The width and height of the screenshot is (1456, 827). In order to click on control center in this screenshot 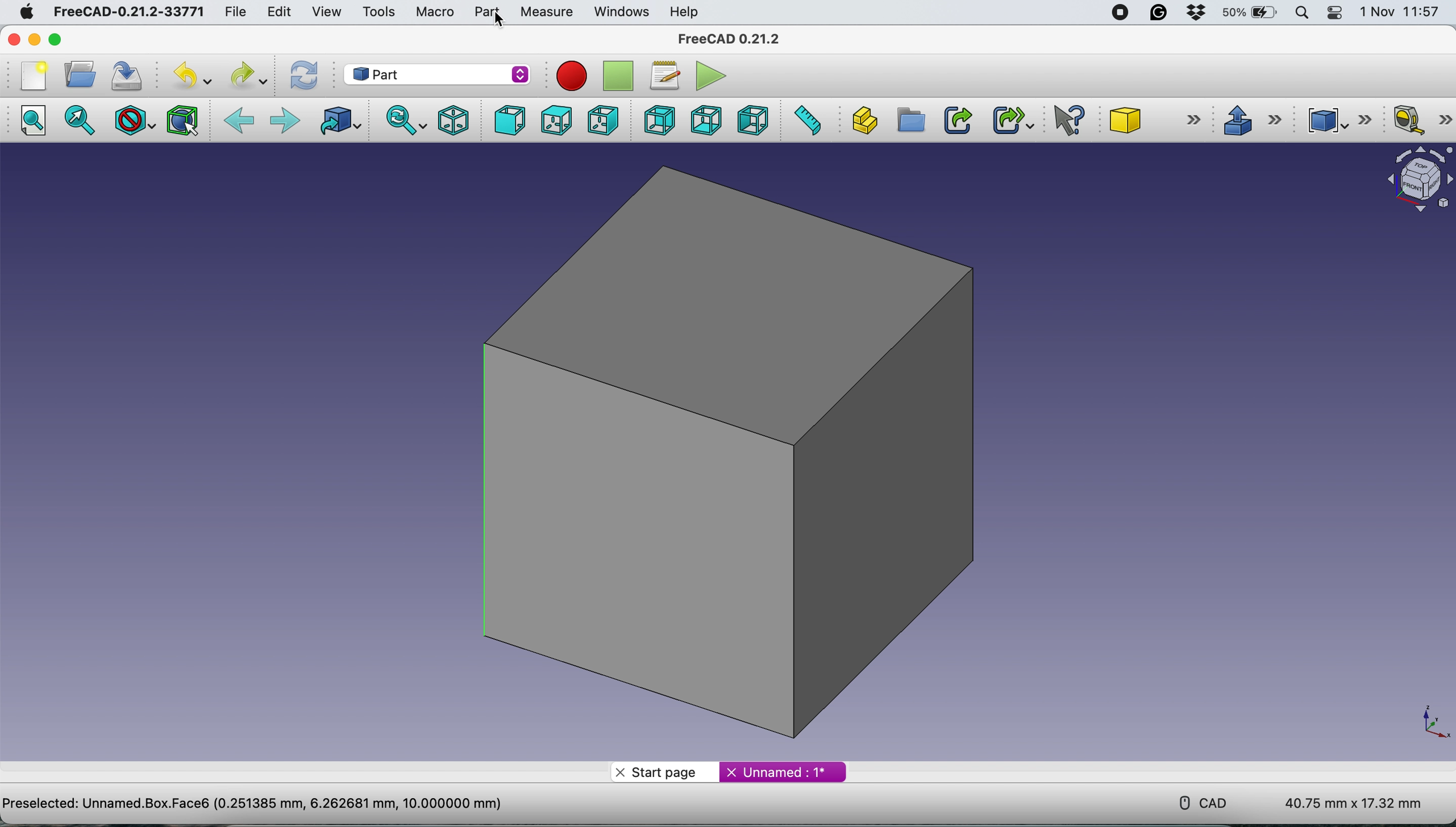, I will do `click(1336, 13)`.